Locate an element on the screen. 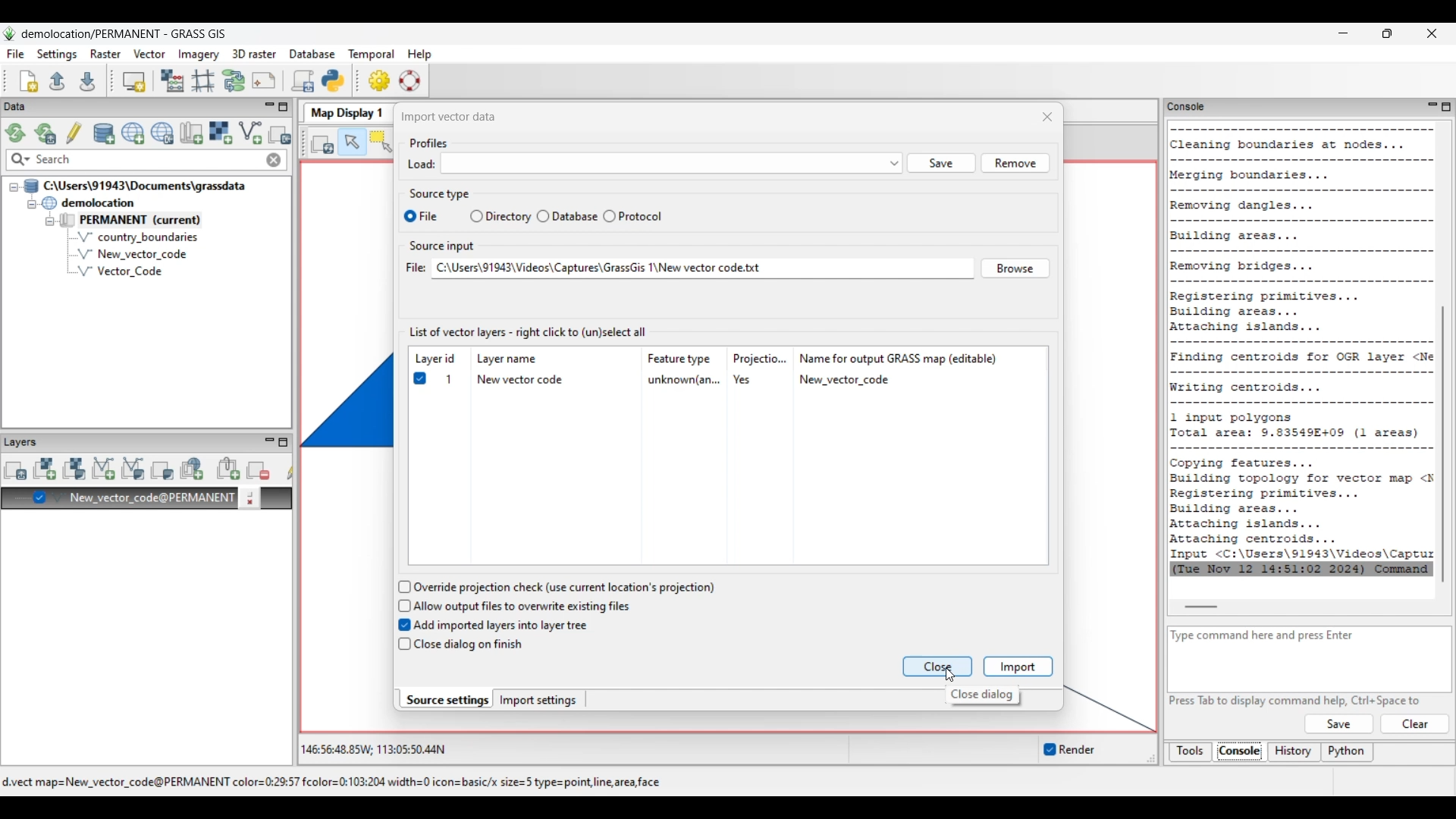 This screenshot has height=819, width=1456. Add raster map layer is located at coordinates (45, 469).